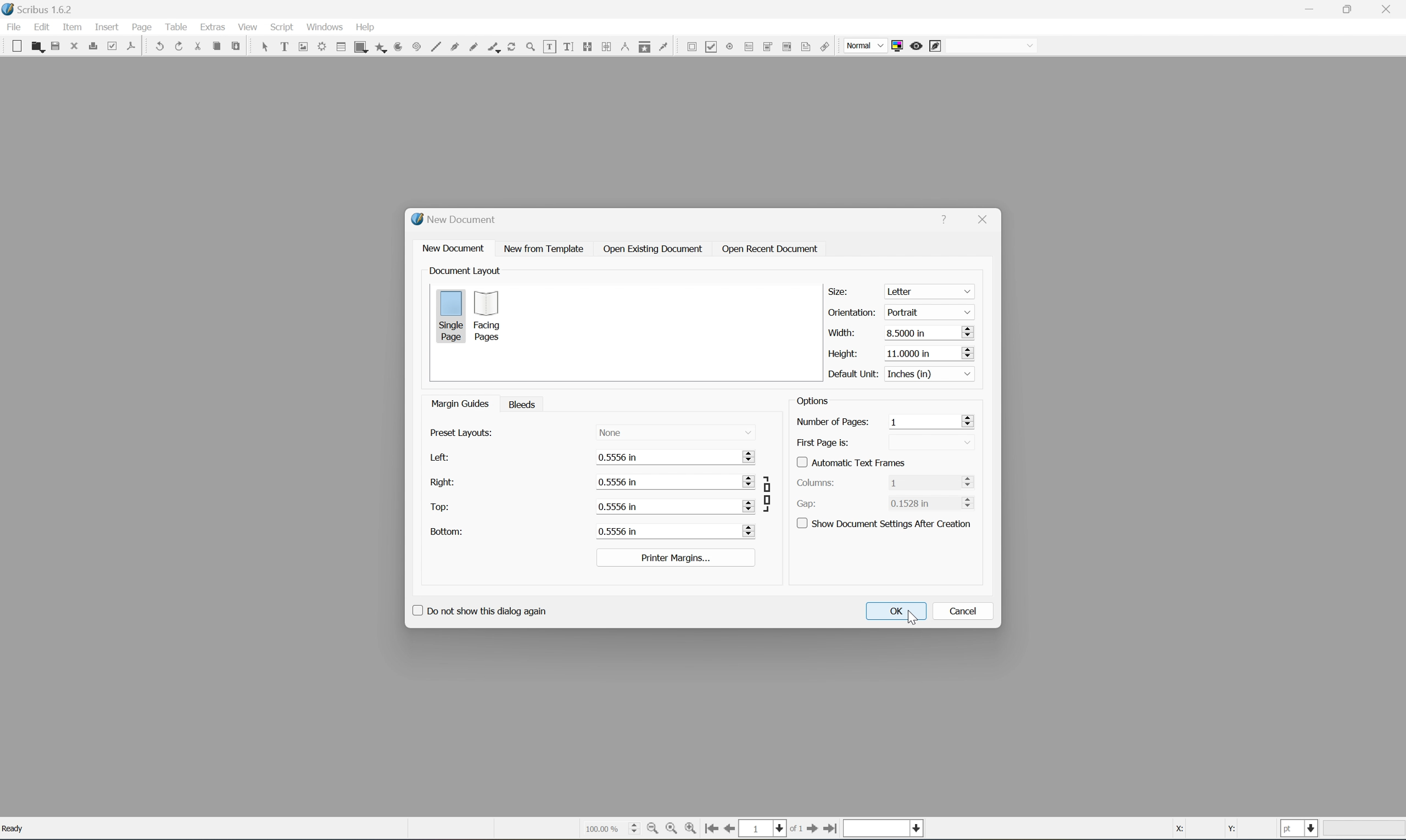 This screenshot has height=840, width=1406. What do you see at coordinates (674, 556) in the screenshot?
I see `printer margins...` at bounding box center [674, 556].